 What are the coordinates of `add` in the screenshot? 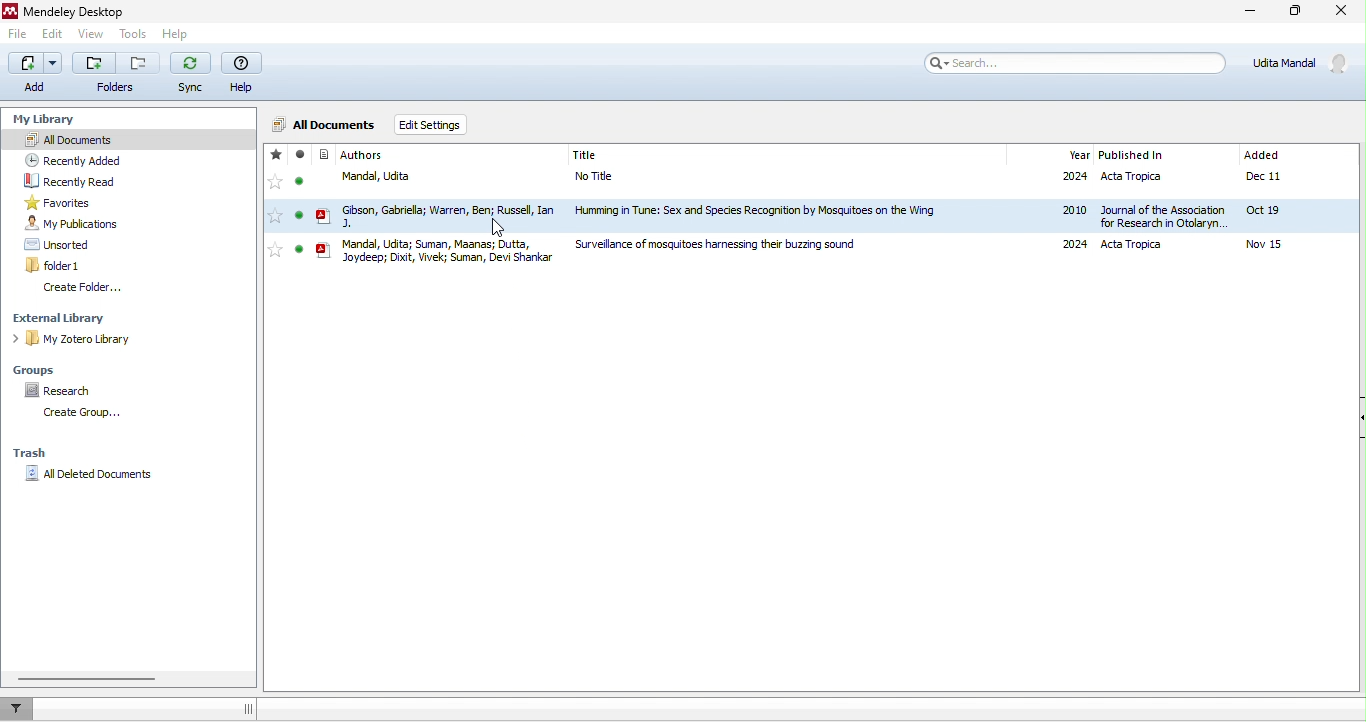 It's located at (34, 63).